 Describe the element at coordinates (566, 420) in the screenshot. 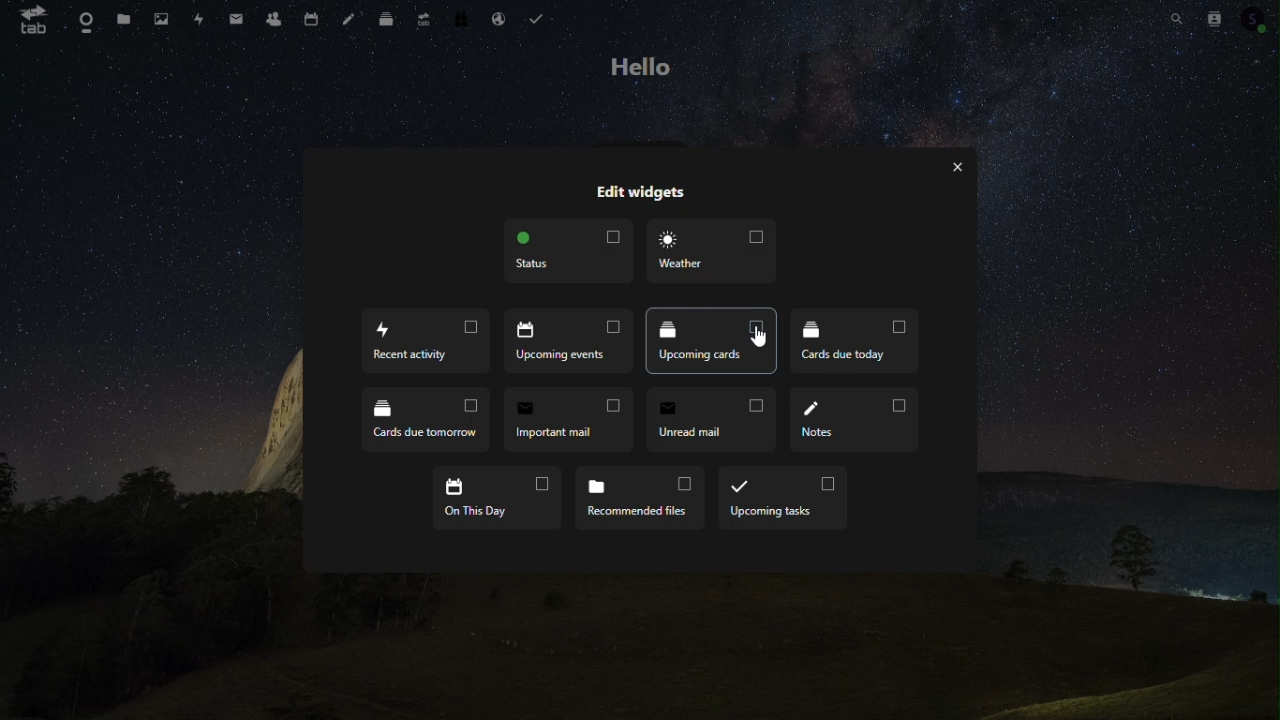

I see `Important mail` at that location.